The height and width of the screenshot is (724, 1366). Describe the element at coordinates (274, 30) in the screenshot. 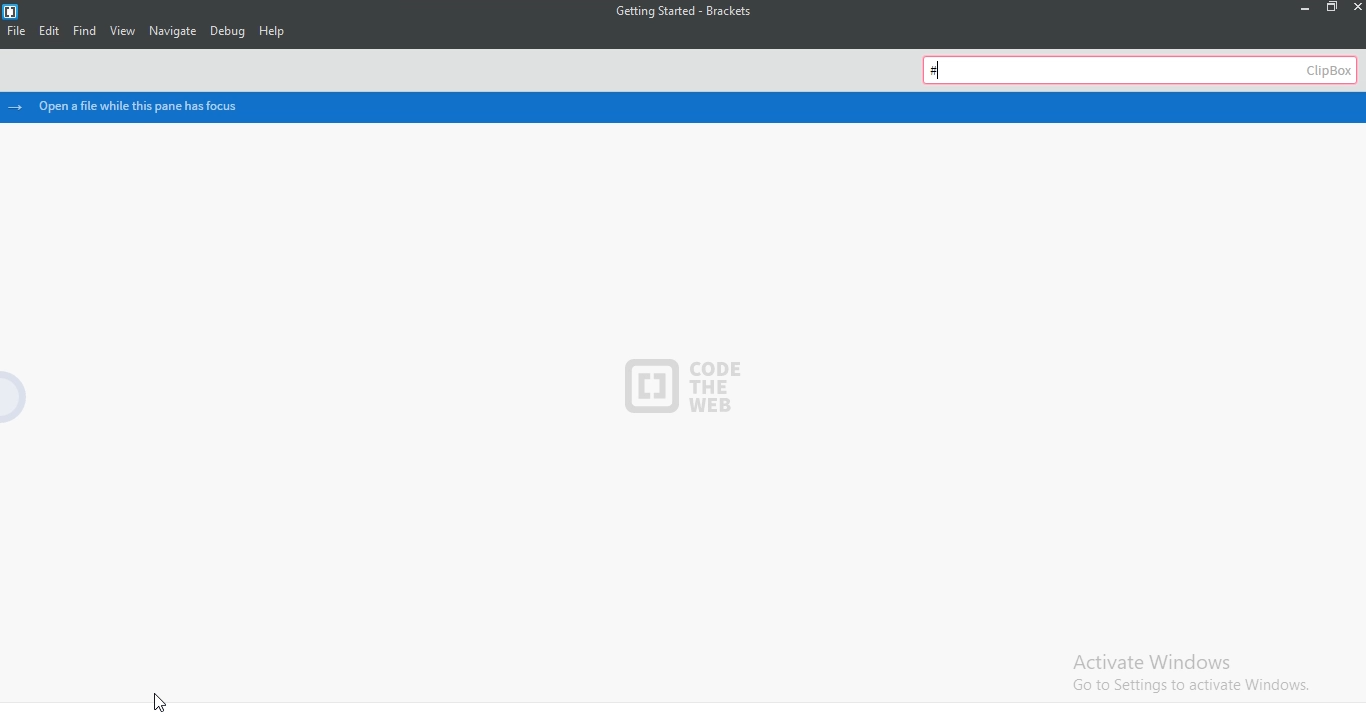

I see `help` at that location.